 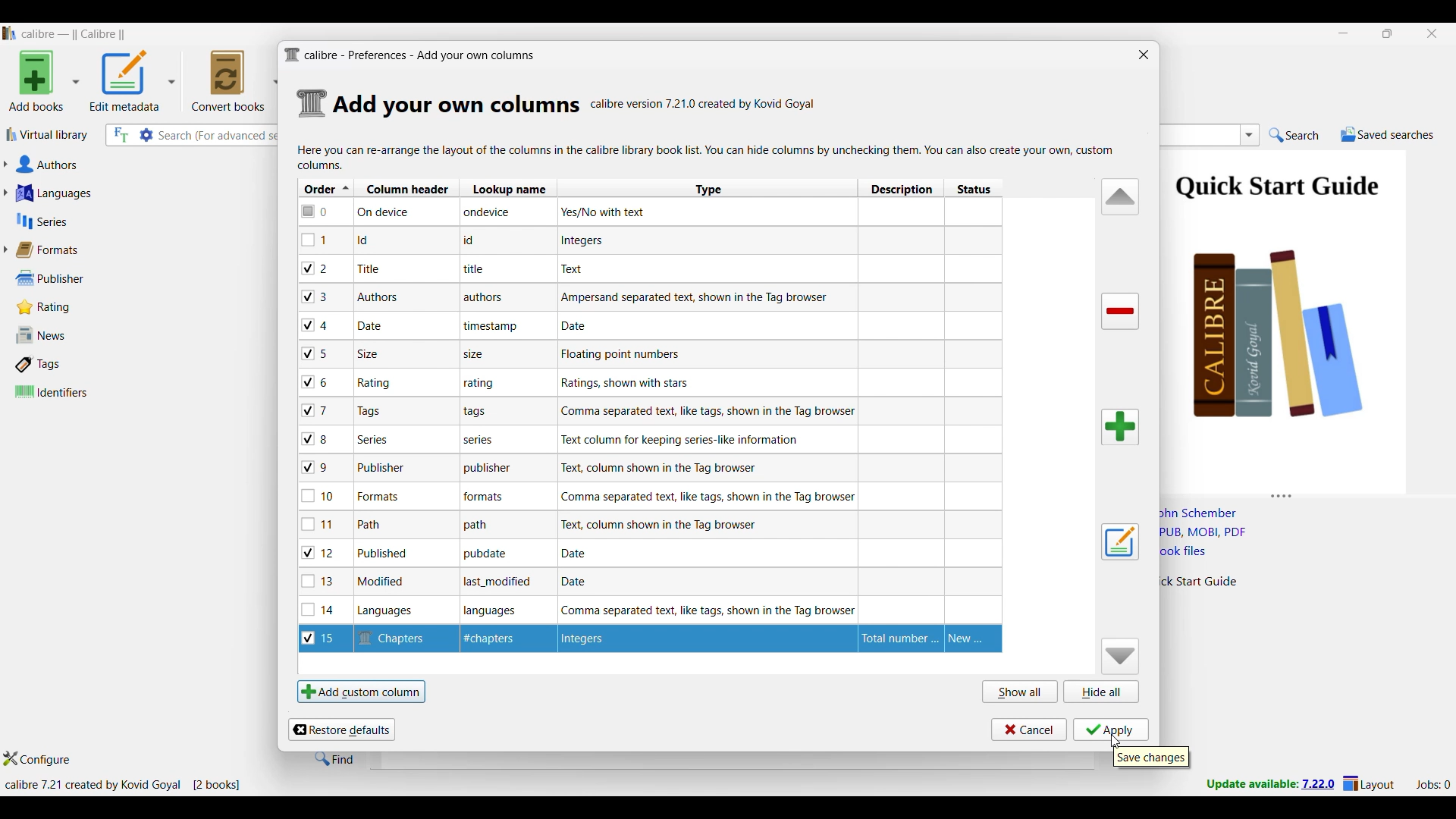 What do you see at coordinates (369, 268) in the screenshot?
I see `Note` at bounding box center [369, 268].